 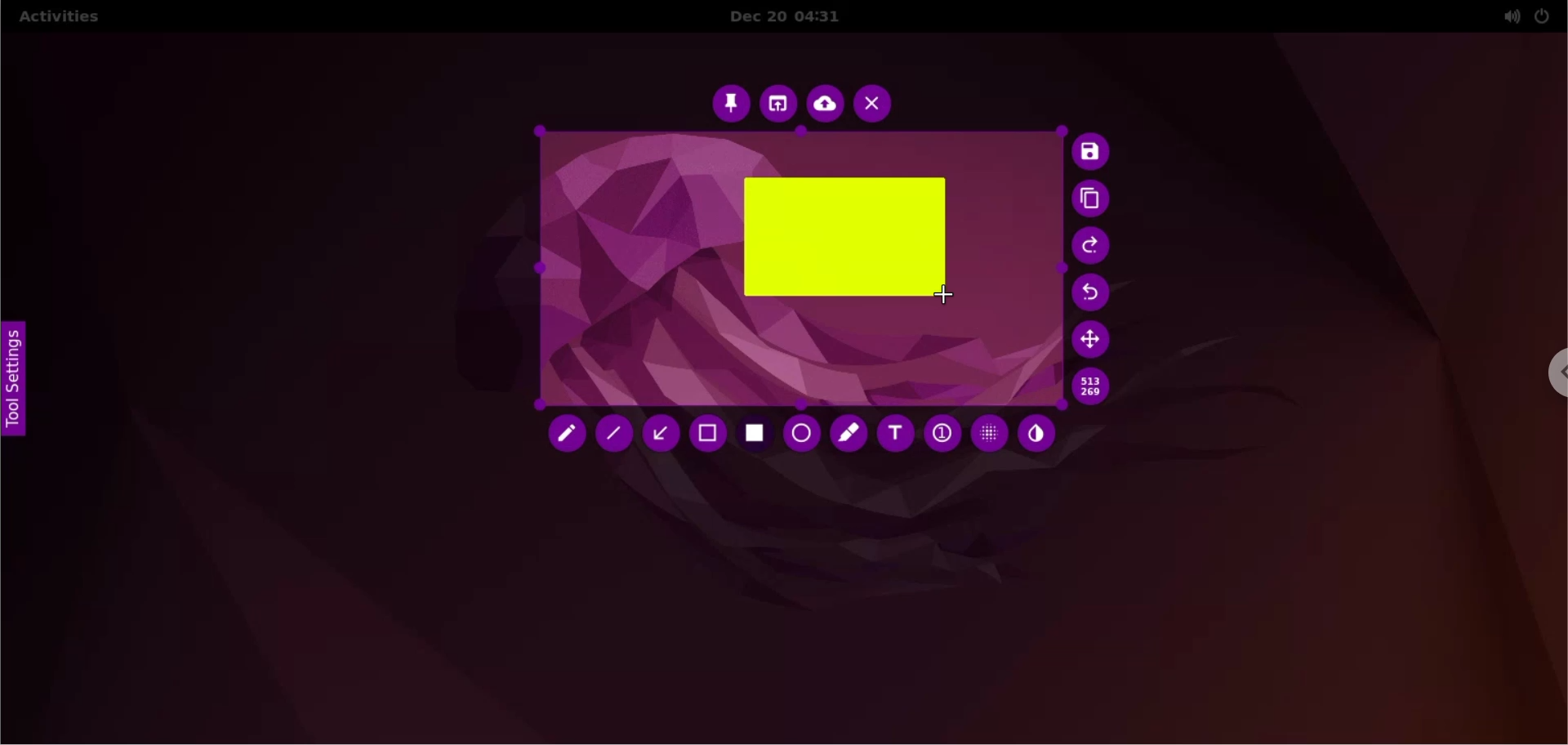 What do you see at coordinates (1037, 433) in the screenshot?
I see `inverter tool` at bounding box center [1037, 433].